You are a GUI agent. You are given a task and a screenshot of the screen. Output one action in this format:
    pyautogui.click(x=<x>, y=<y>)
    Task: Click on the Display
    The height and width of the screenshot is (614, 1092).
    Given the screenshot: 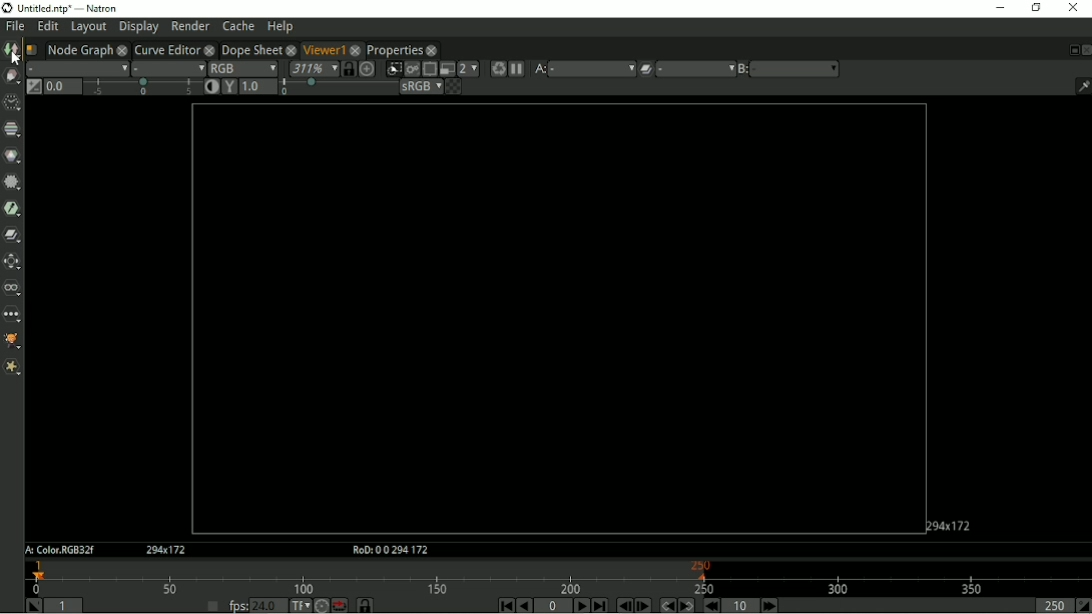 What is the action you would take?
    pyautogui.click(x=138, y=28)
    